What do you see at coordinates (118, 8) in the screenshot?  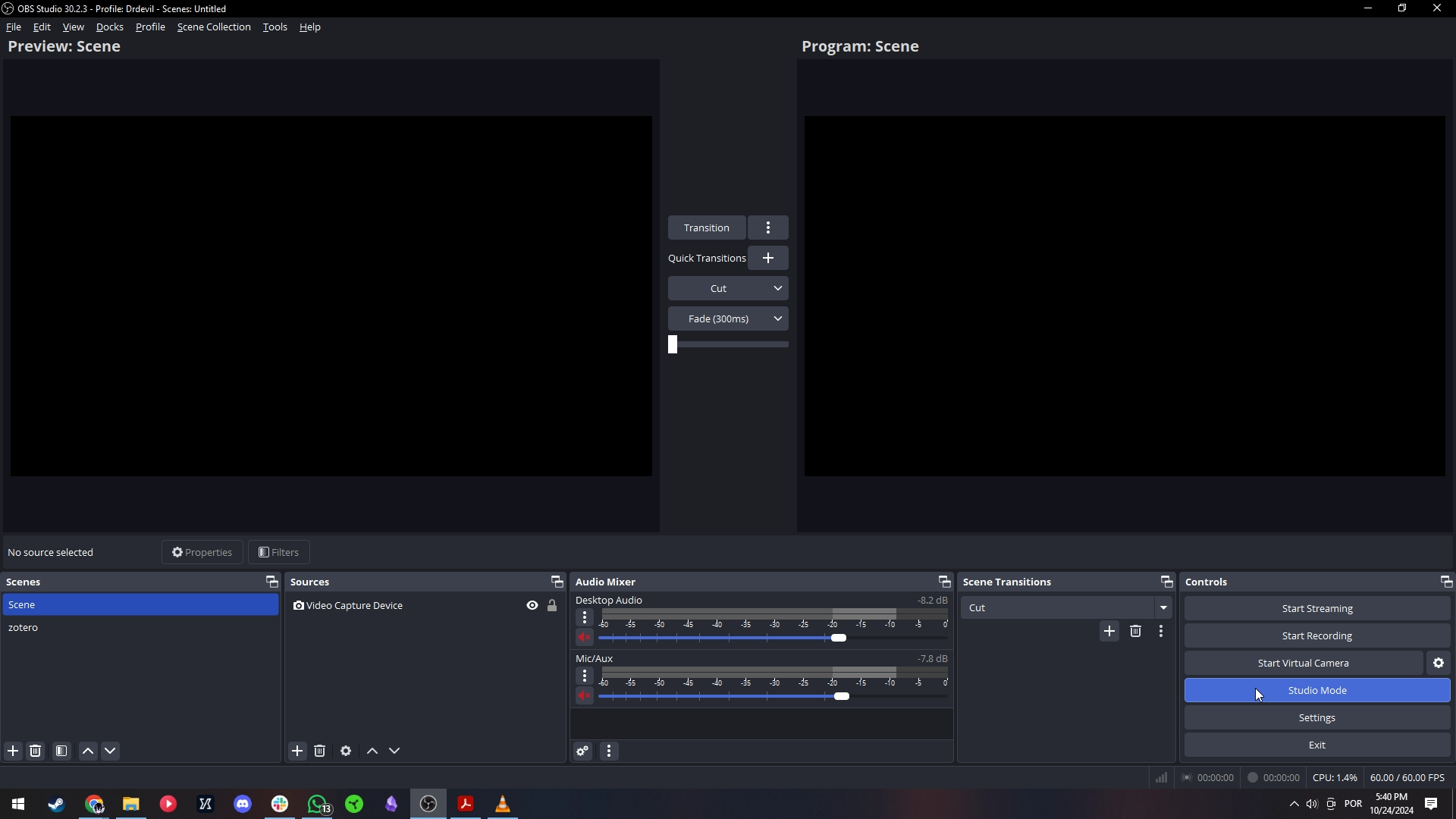 I see `programme name and file` at bounding box center [118, 8].